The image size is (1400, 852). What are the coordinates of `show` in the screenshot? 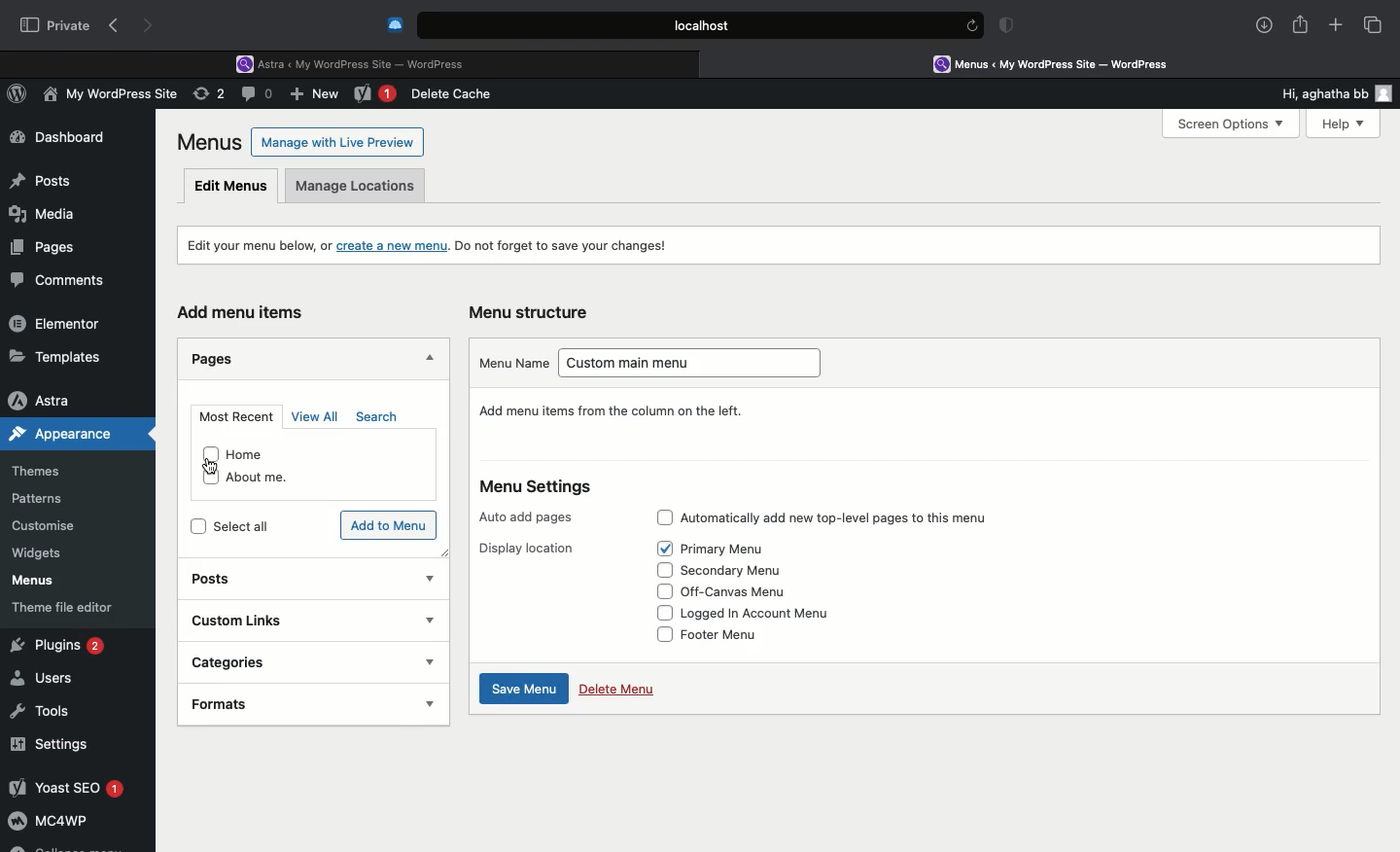 It's located at (428, 618).